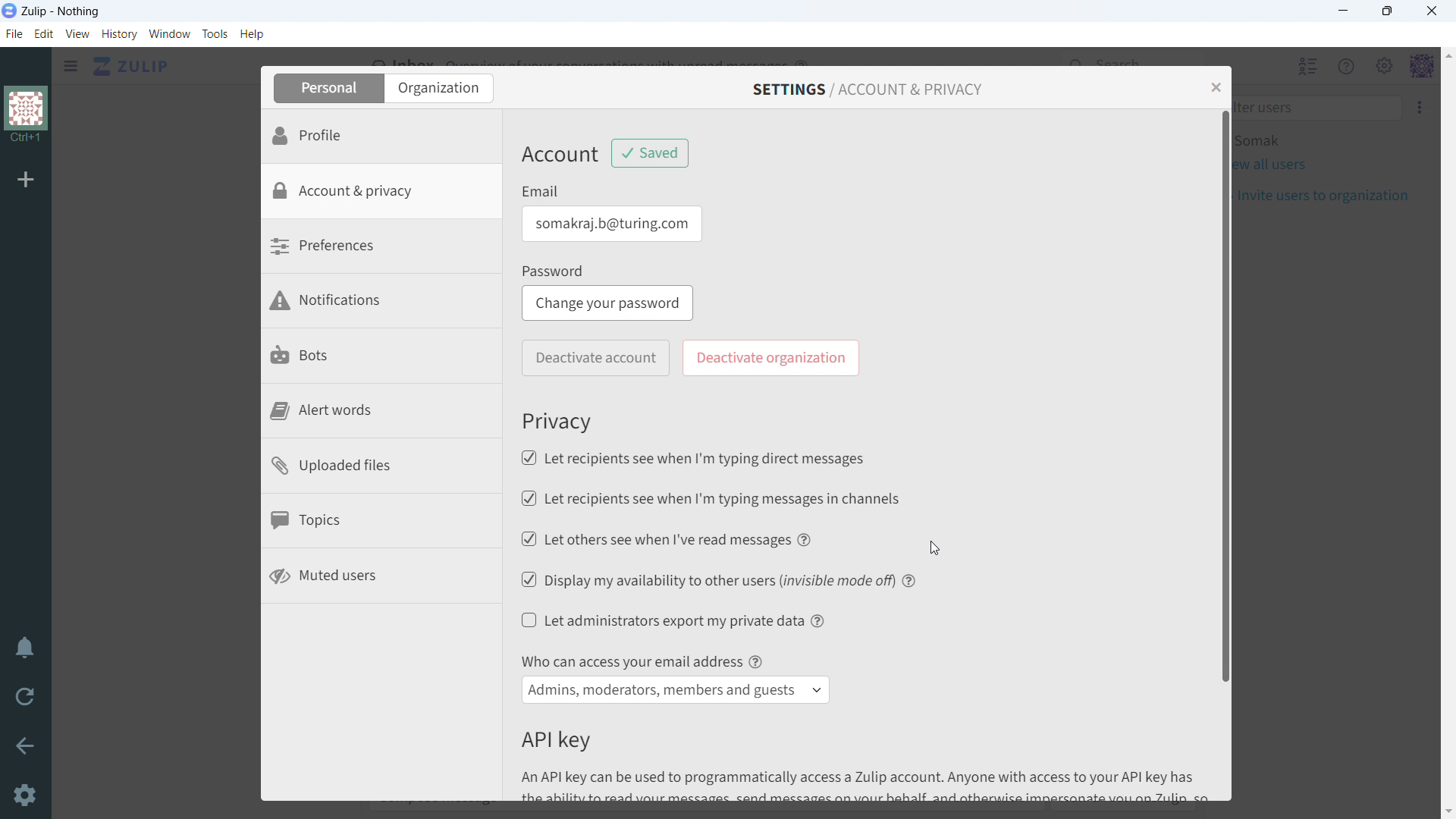 This screenshot has width=1456, height=819. I want to click on help, so click(822, 621).